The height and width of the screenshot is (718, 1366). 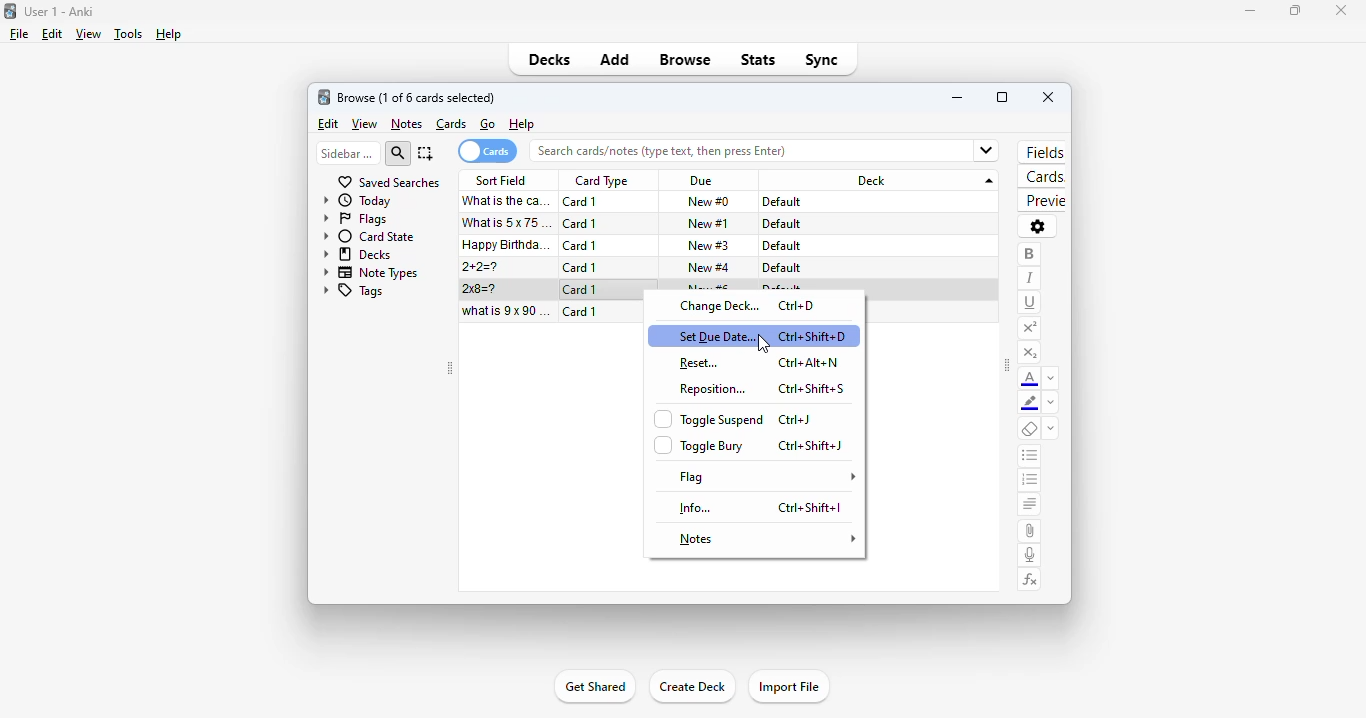 What do you see at coordinates (882, 180) in the screenshot?
I see `deck` at bounding box center [882, 180].